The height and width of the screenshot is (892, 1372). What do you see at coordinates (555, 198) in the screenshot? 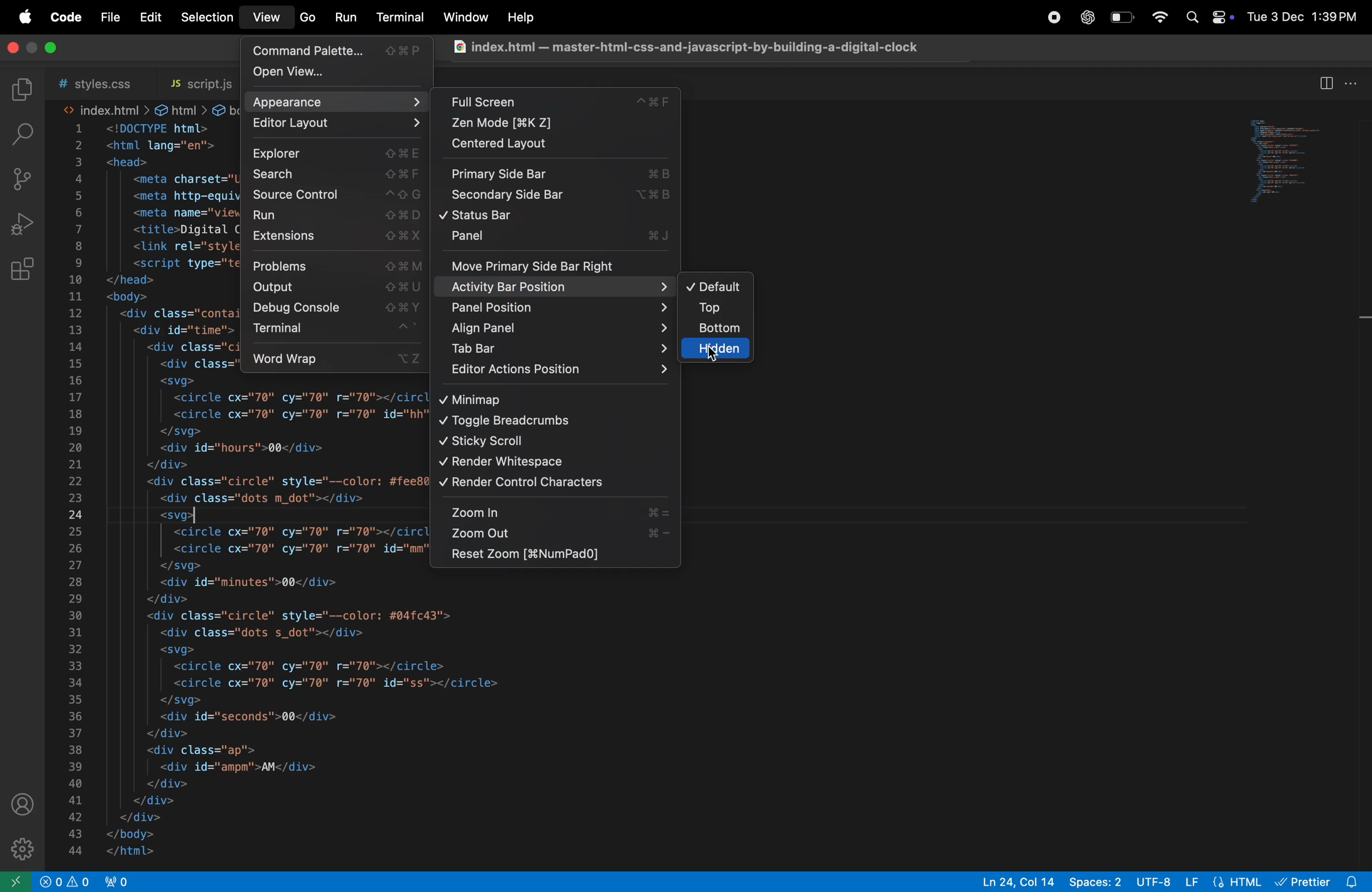
I see `secondary side bar` at bounding box center [555, 198].